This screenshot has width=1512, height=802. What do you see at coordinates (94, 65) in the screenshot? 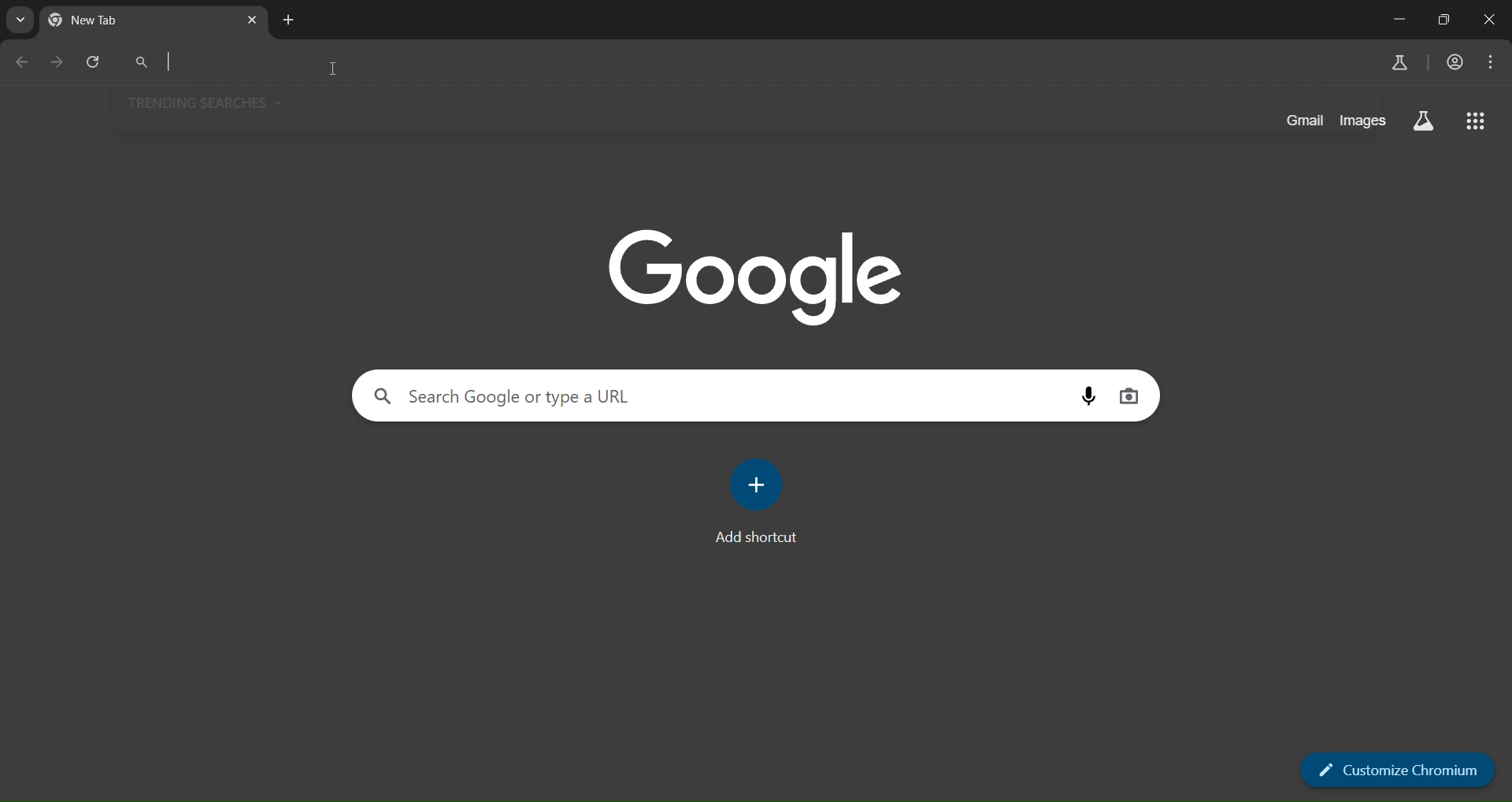
I see `reload pages` at bounding box center [94, 65].